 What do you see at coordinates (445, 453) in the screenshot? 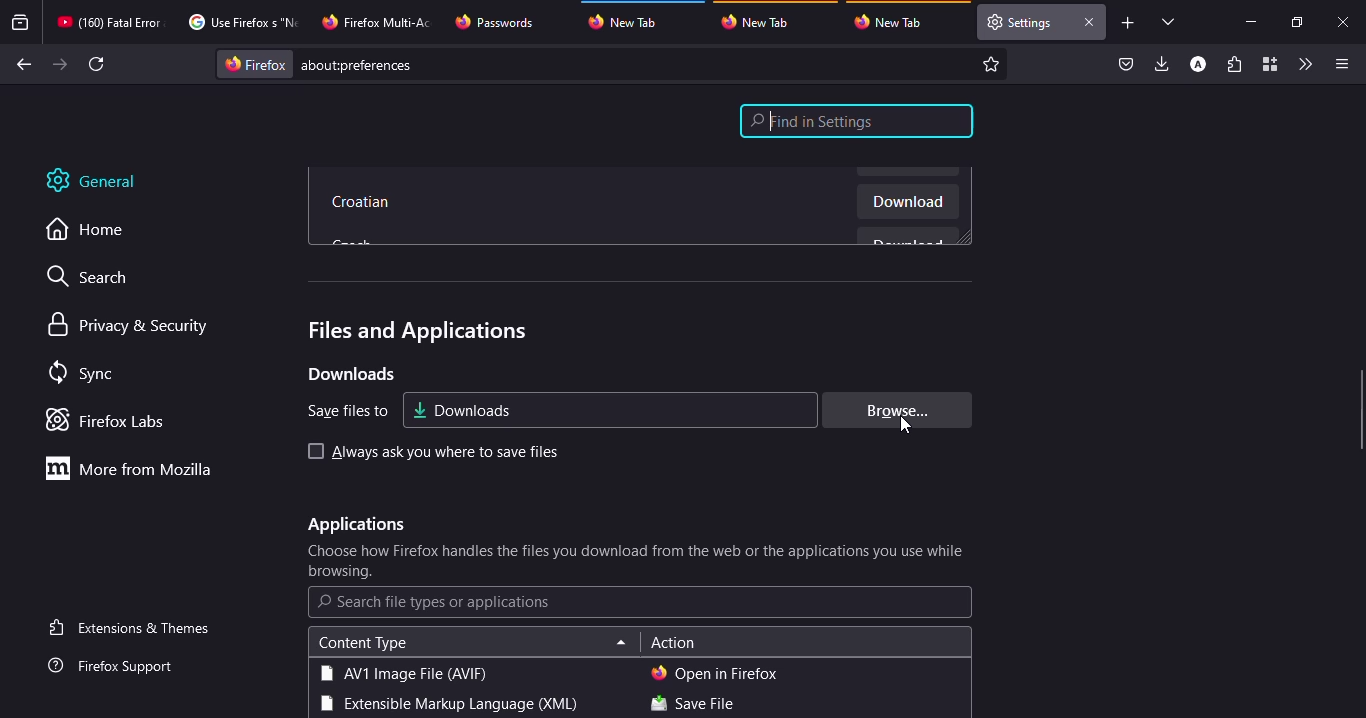
I see `always ask` at bounding box center [445, 453].